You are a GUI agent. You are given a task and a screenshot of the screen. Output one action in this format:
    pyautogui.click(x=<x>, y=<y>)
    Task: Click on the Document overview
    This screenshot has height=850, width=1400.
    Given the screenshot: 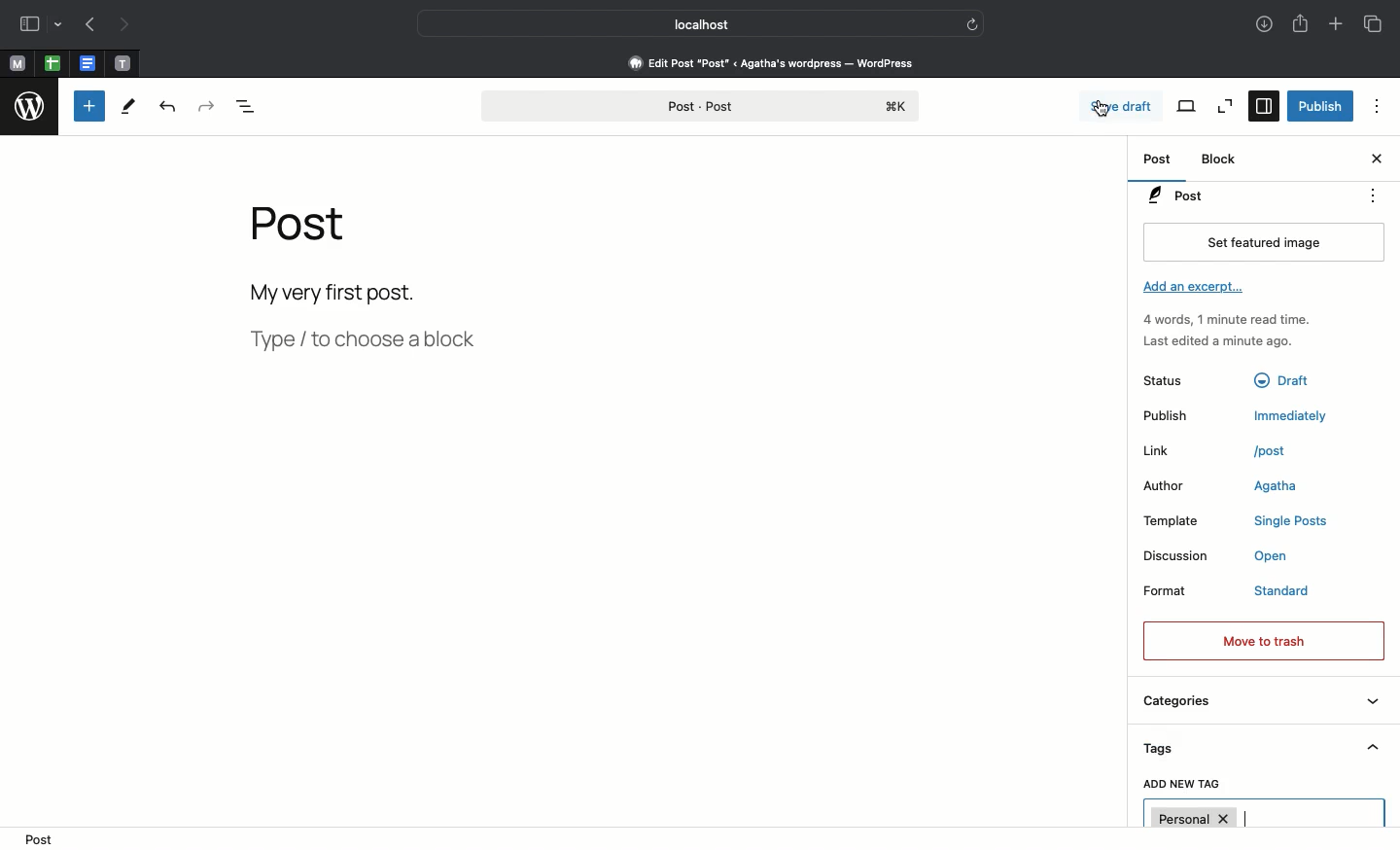 What is the action you would take?
    pyautogui.click(x=248, y=111)
    